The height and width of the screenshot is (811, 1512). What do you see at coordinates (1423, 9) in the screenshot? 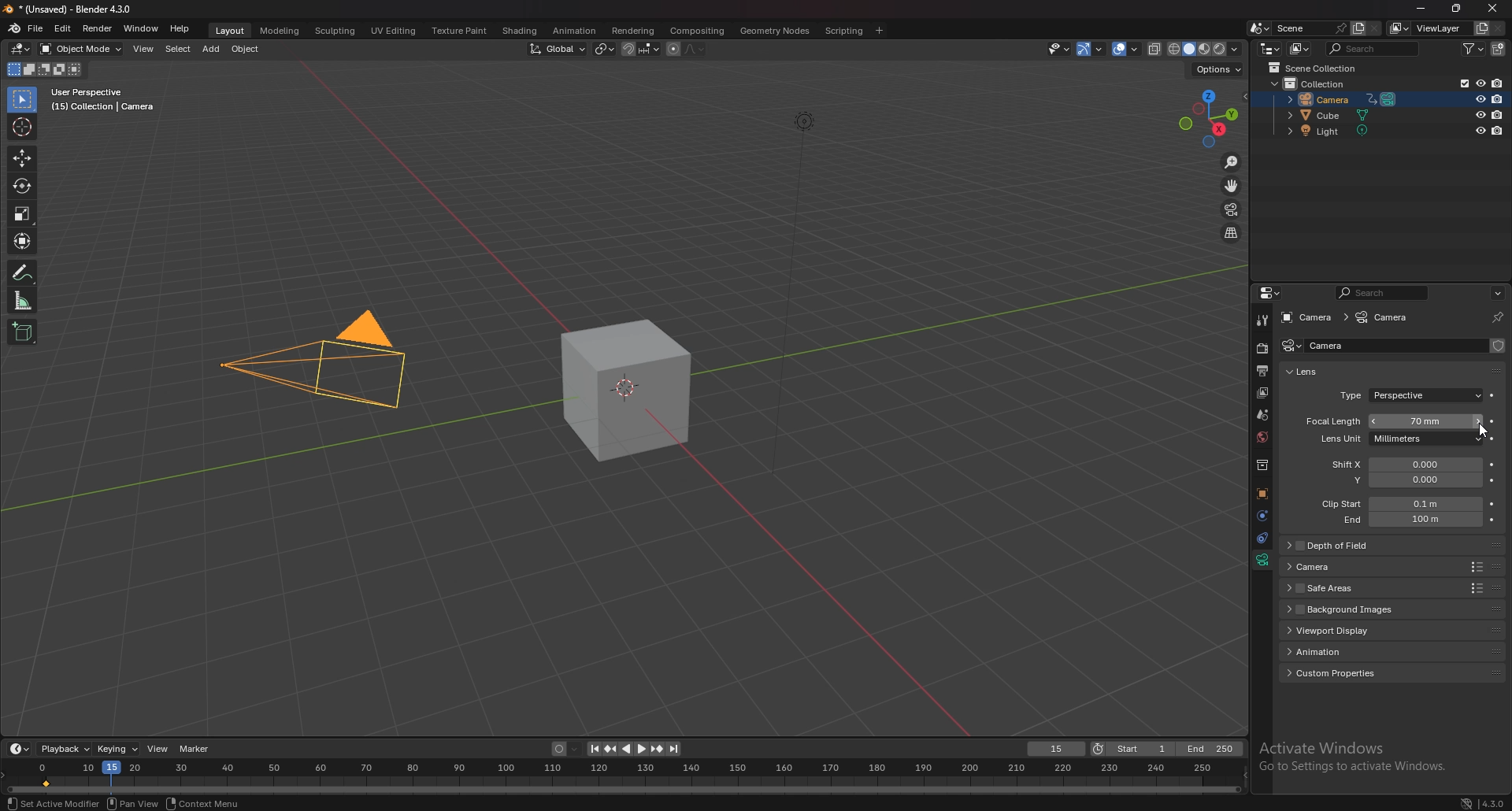
I see `minimize` at bounding box center [1423, 9].